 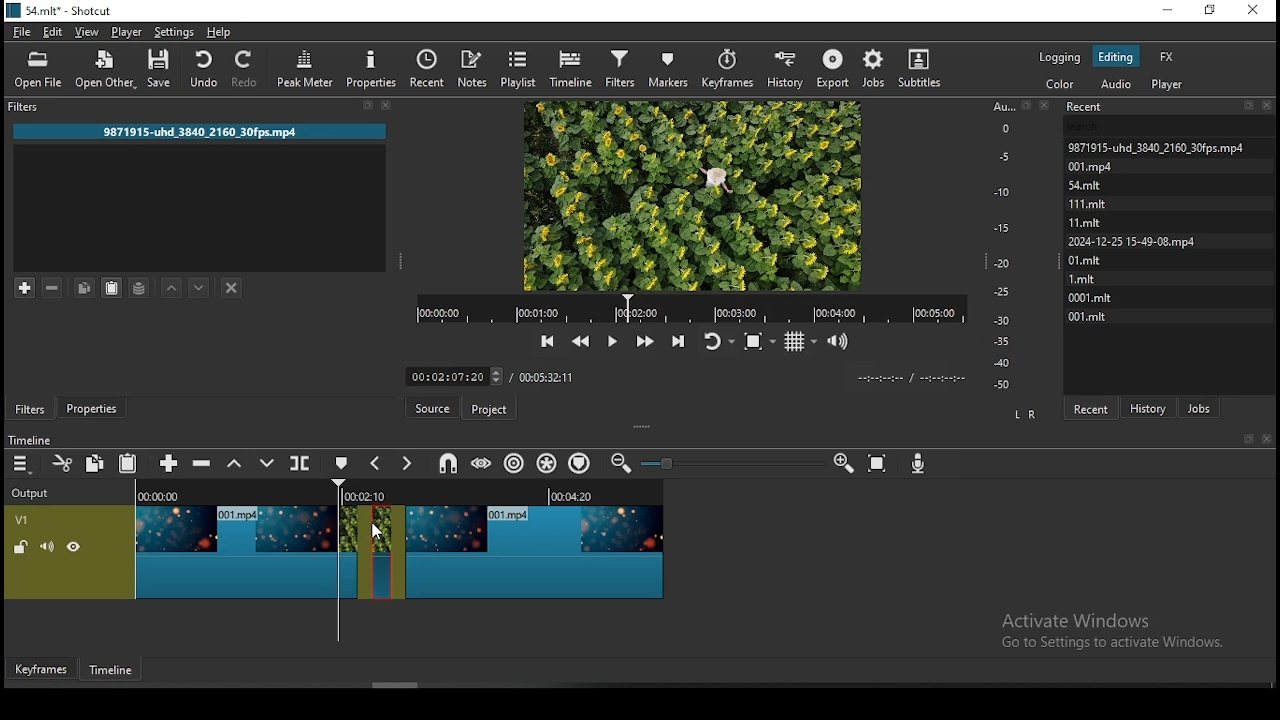 What do you see at coordinates (455, 377) in the screenshot?
I see `timer` at bounding box center [455, 377].